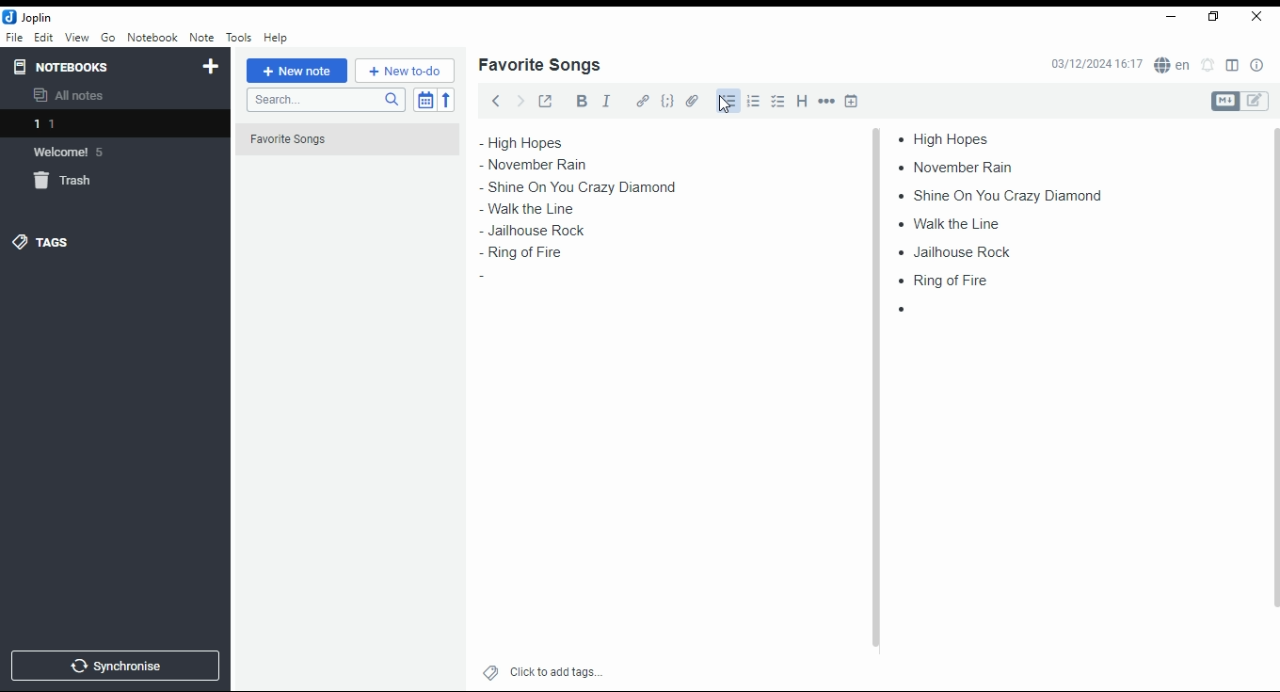  What do you see at coordinates (41, 241) in the screenshot?
I see `tags` at bounding box center [41, 241].